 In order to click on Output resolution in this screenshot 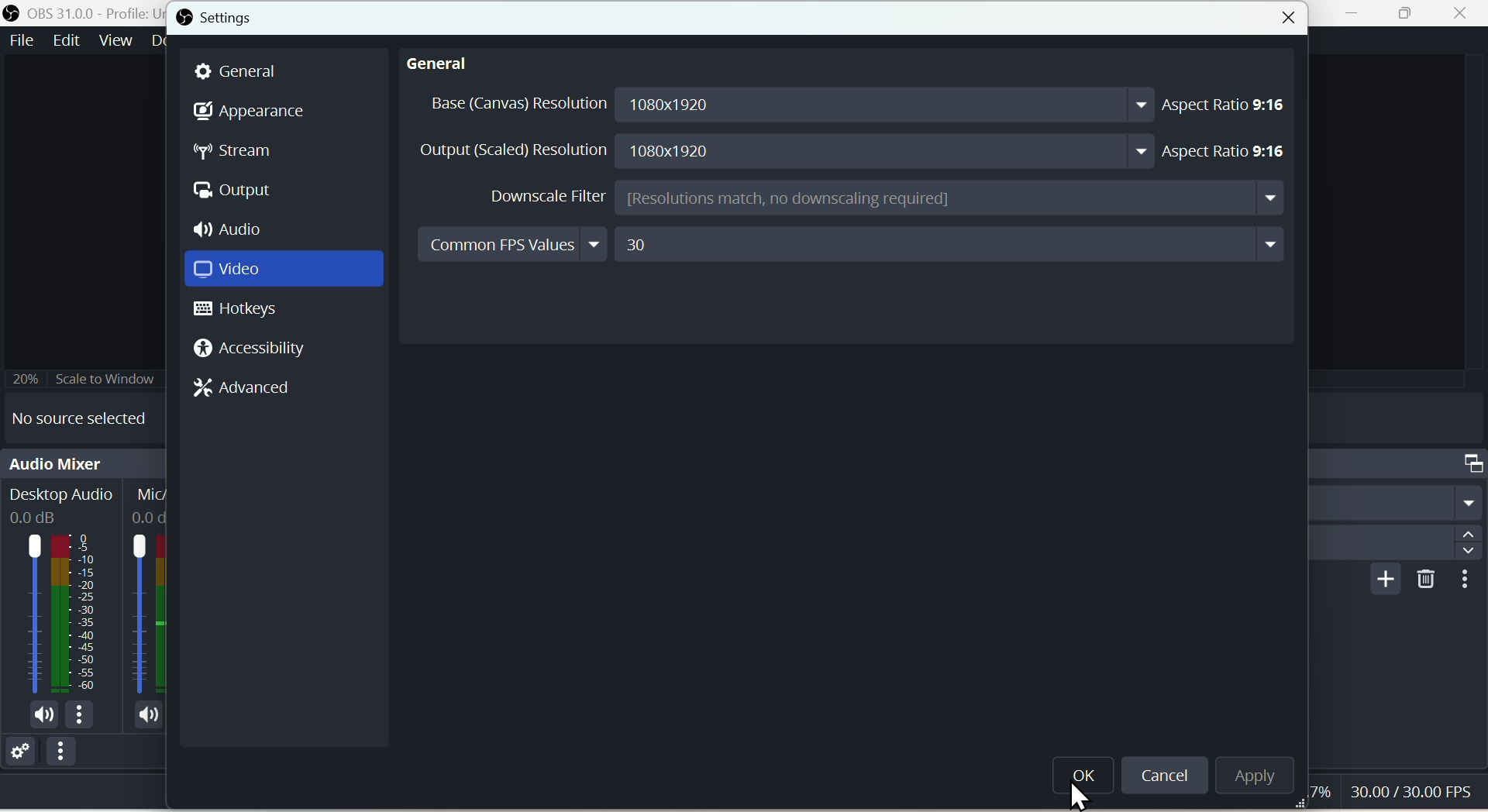, I will do `click(785, 150)`.